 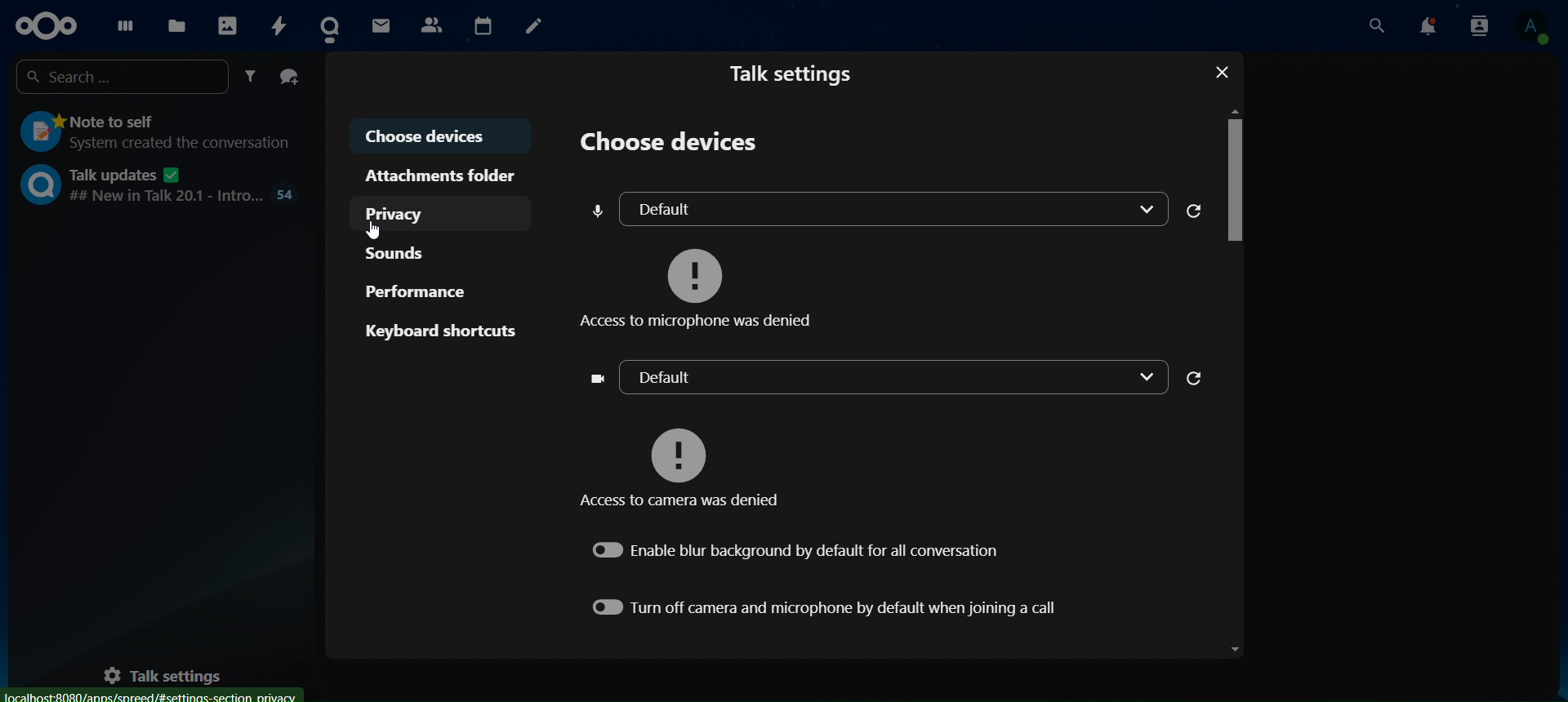 I want to click on performance, so click(x=422, y=288).